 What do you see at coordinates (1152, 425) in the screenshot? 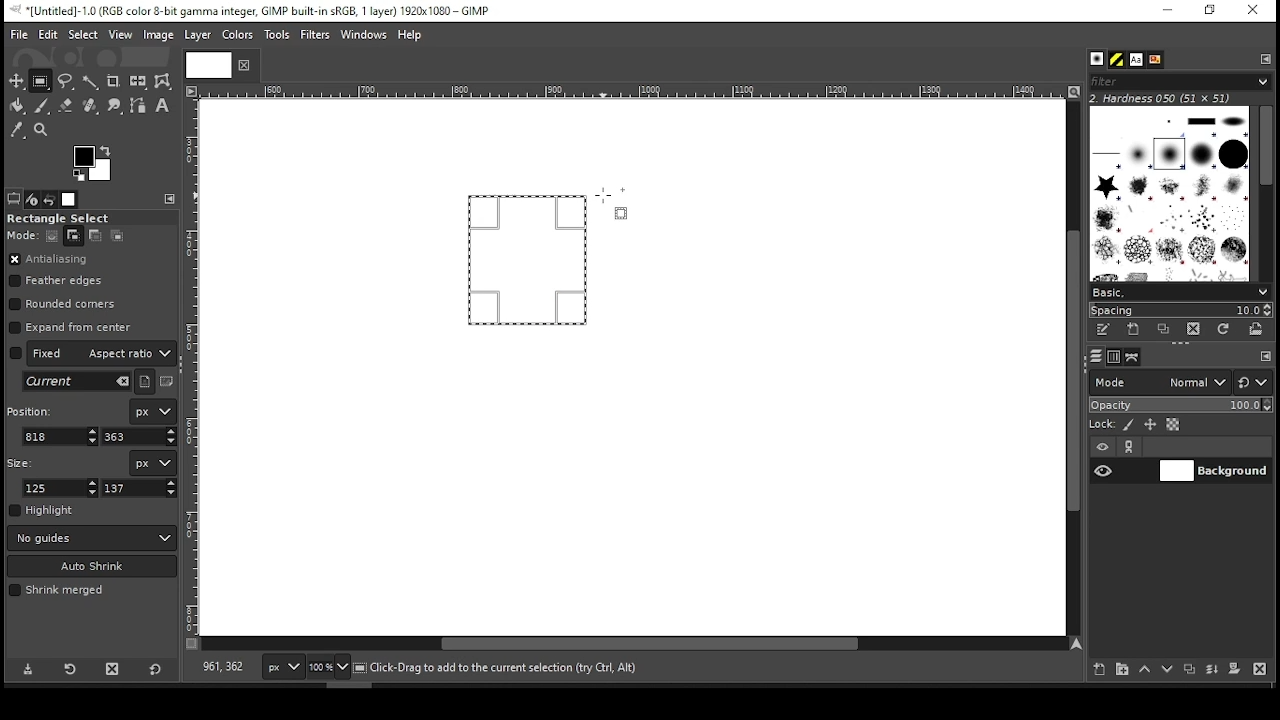
I see `lock size and positioning` at bounding box center [1152, 425].